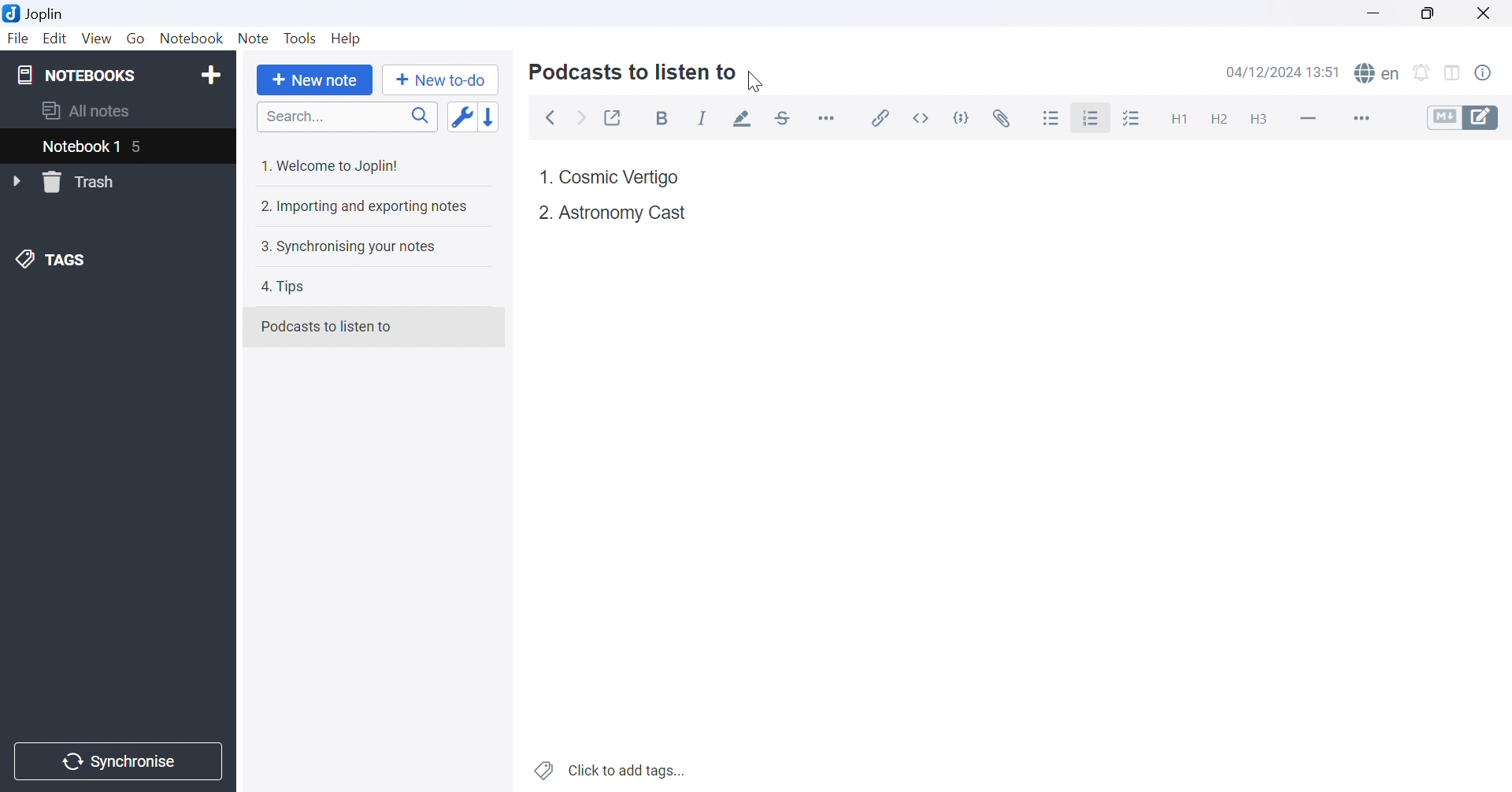 The height and width of the screenshot is (792, 1512). Describe the element at coordinates (925, 117) in the screenshot. I see `Inline code` at that location.